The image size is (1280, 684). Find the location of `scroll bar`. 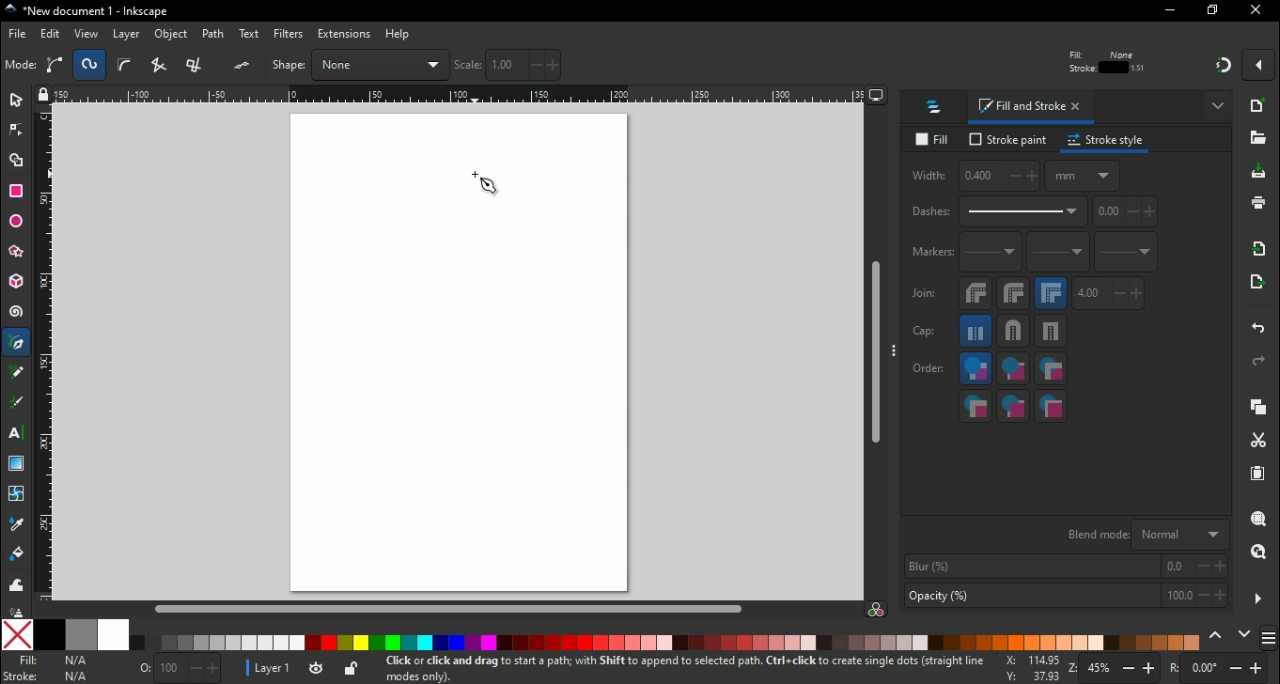

scroll bar is located at coordinates (874, 354).